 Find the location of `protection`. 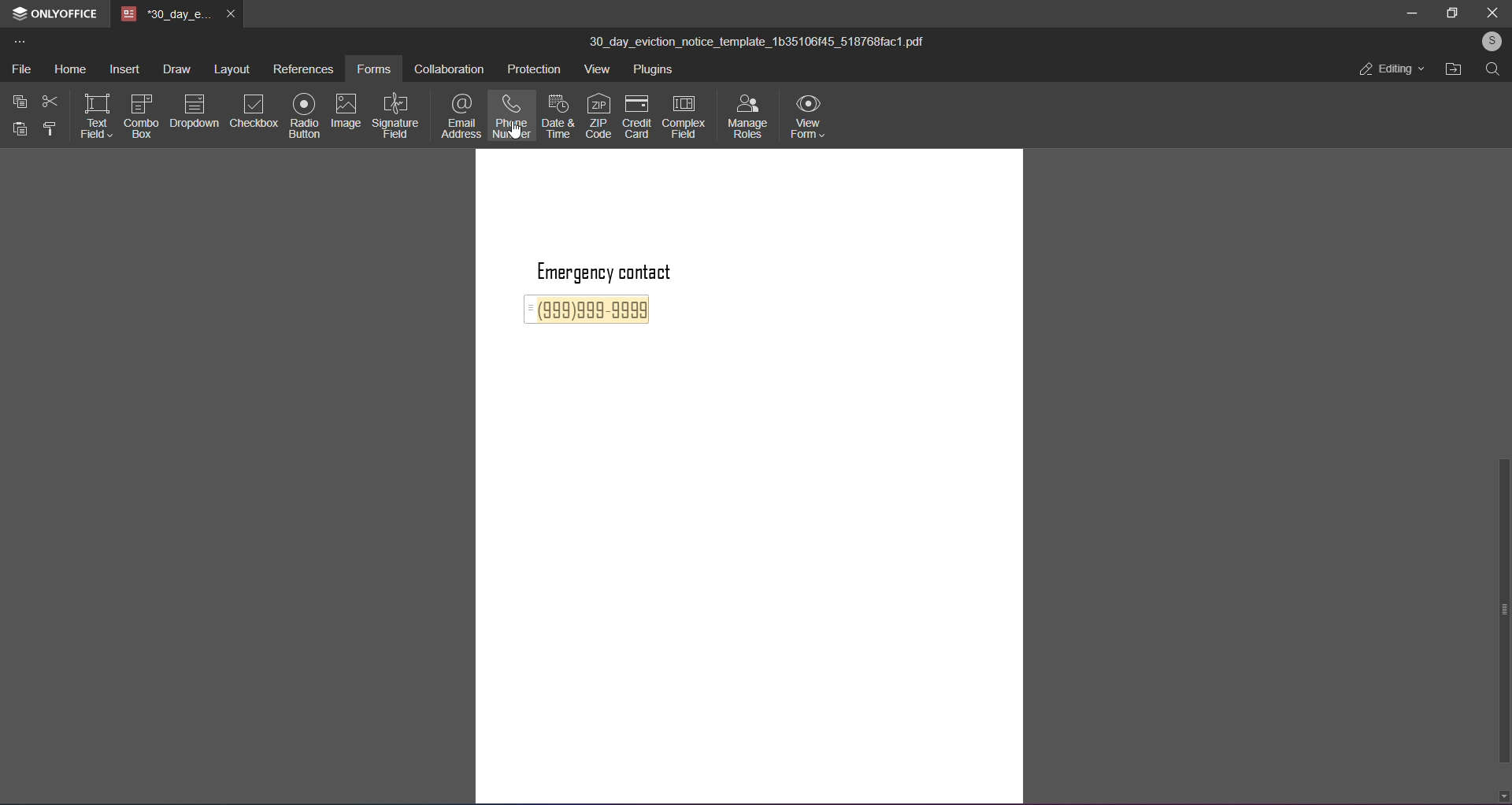

protection is located at coordinates (535, 69).